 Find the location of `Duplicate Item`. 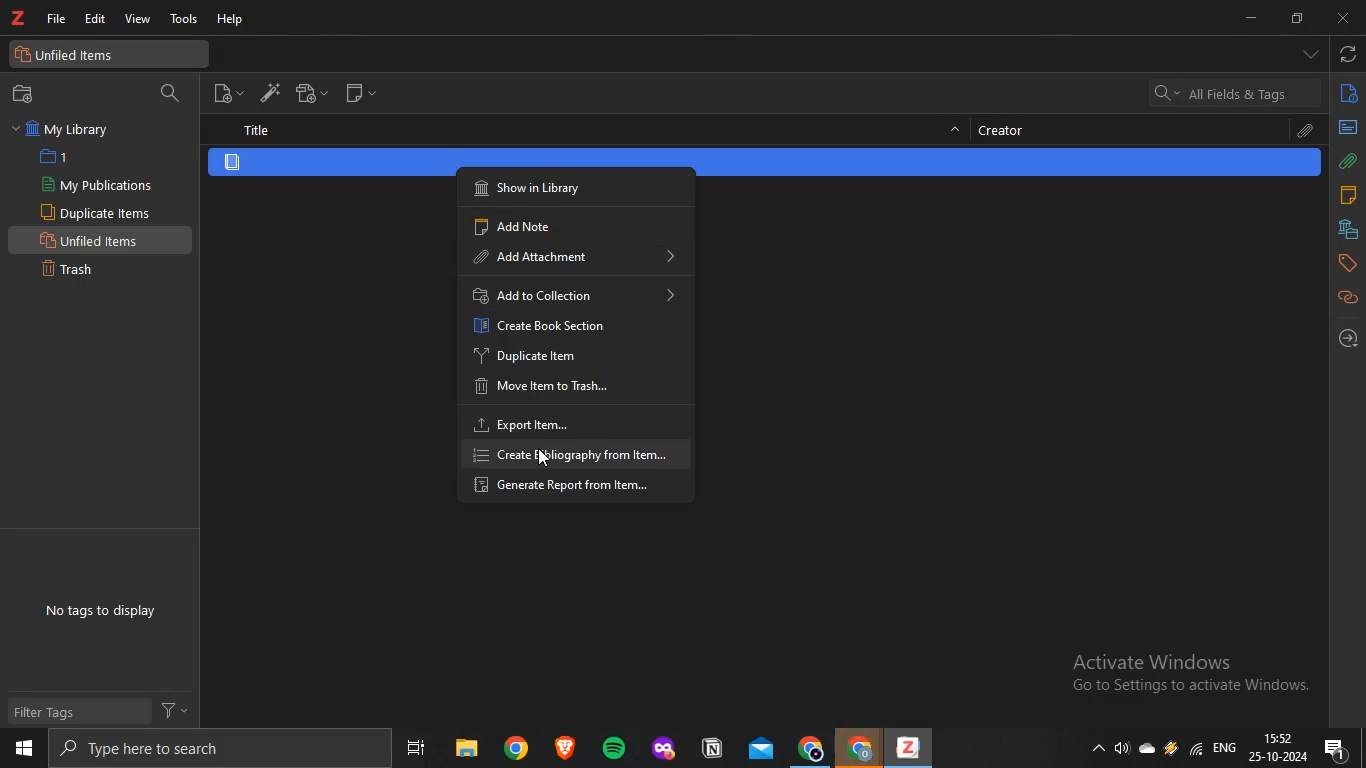

Duplicate Item is located at coordinates (555, 356).